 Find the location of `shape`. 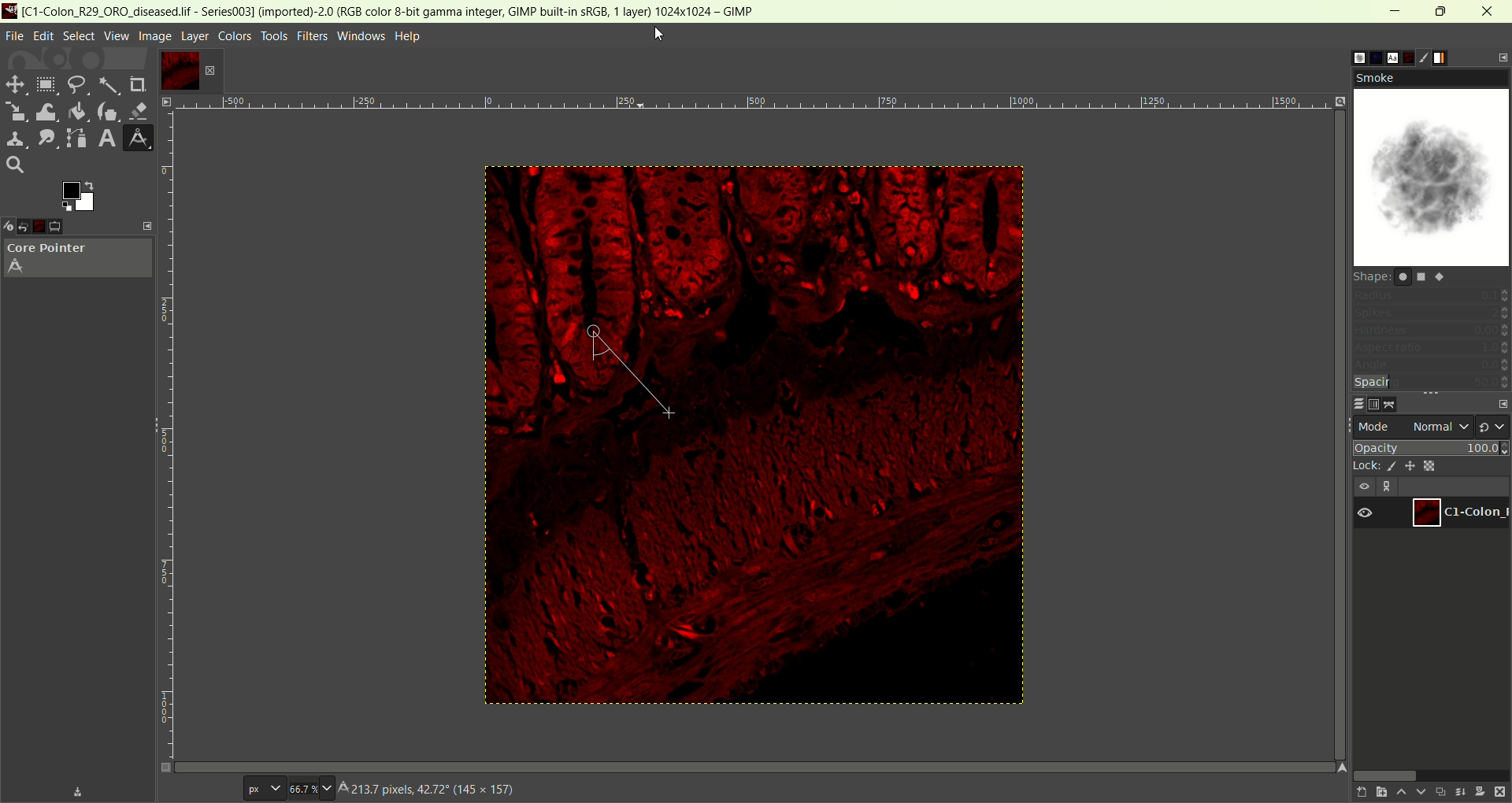

shape is located at coordinates (1403, 276).